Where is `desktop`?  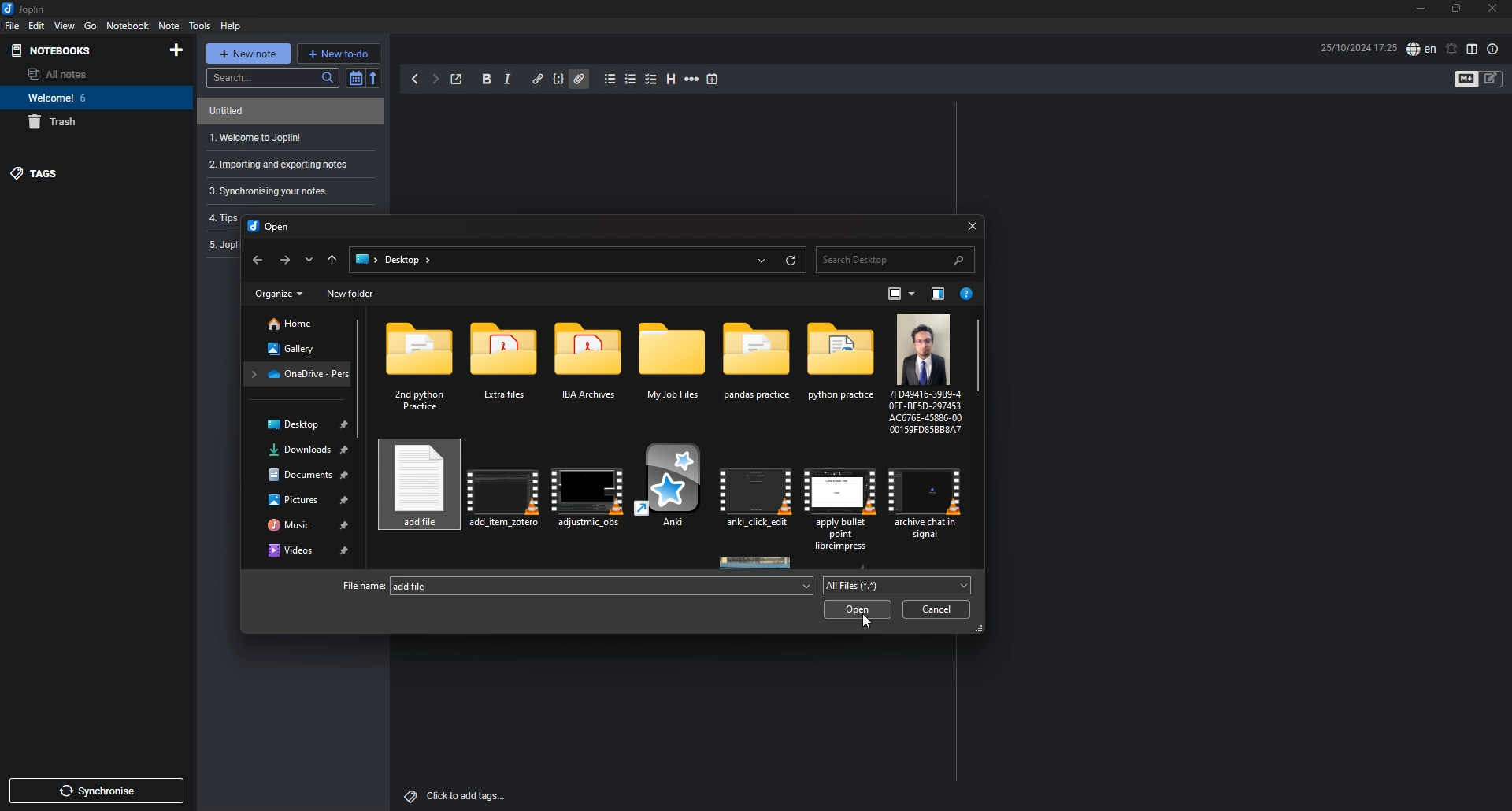 desktop is located at coordinates (299, 425).